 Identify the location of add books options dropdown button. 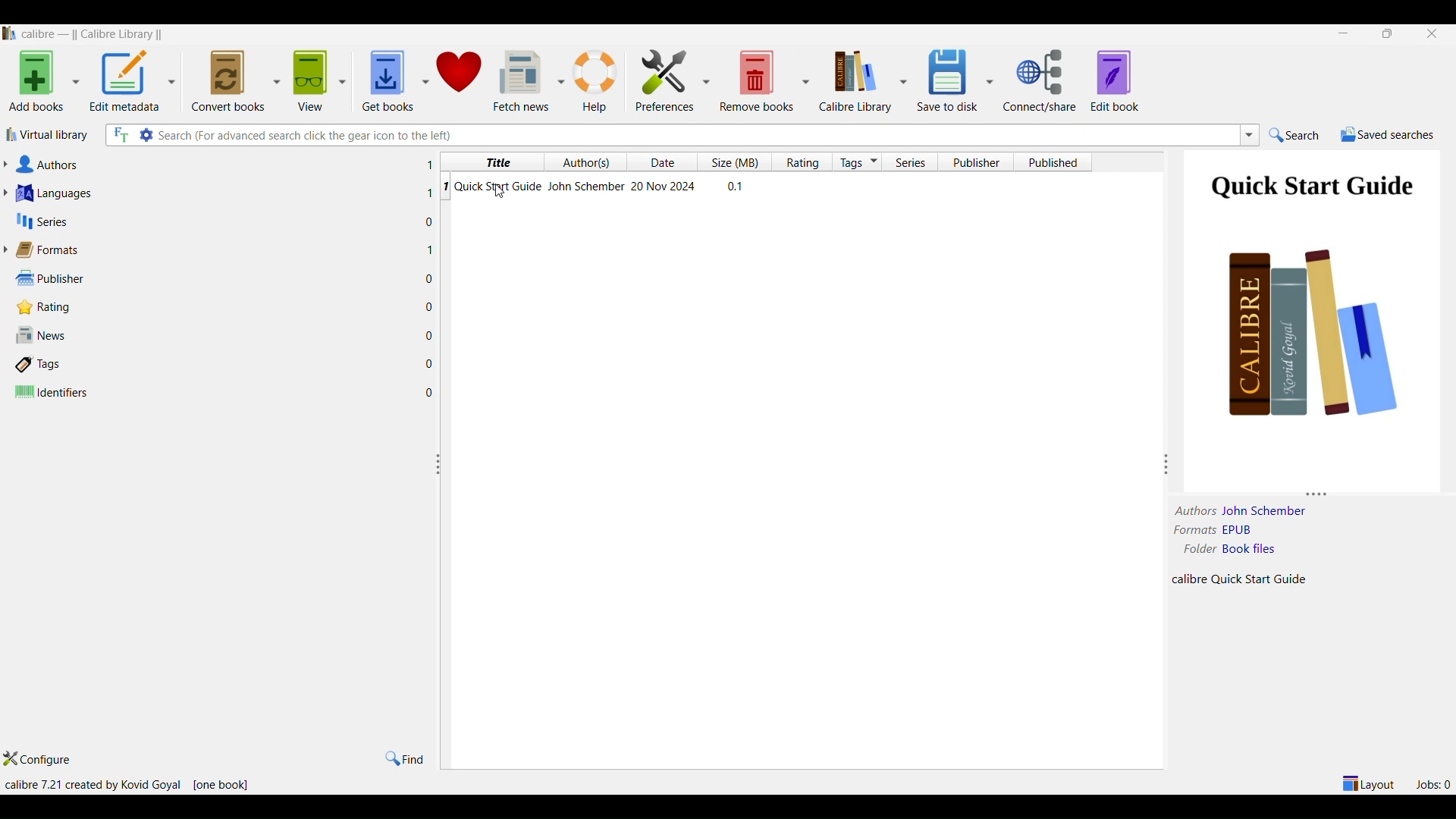
(75, 83).